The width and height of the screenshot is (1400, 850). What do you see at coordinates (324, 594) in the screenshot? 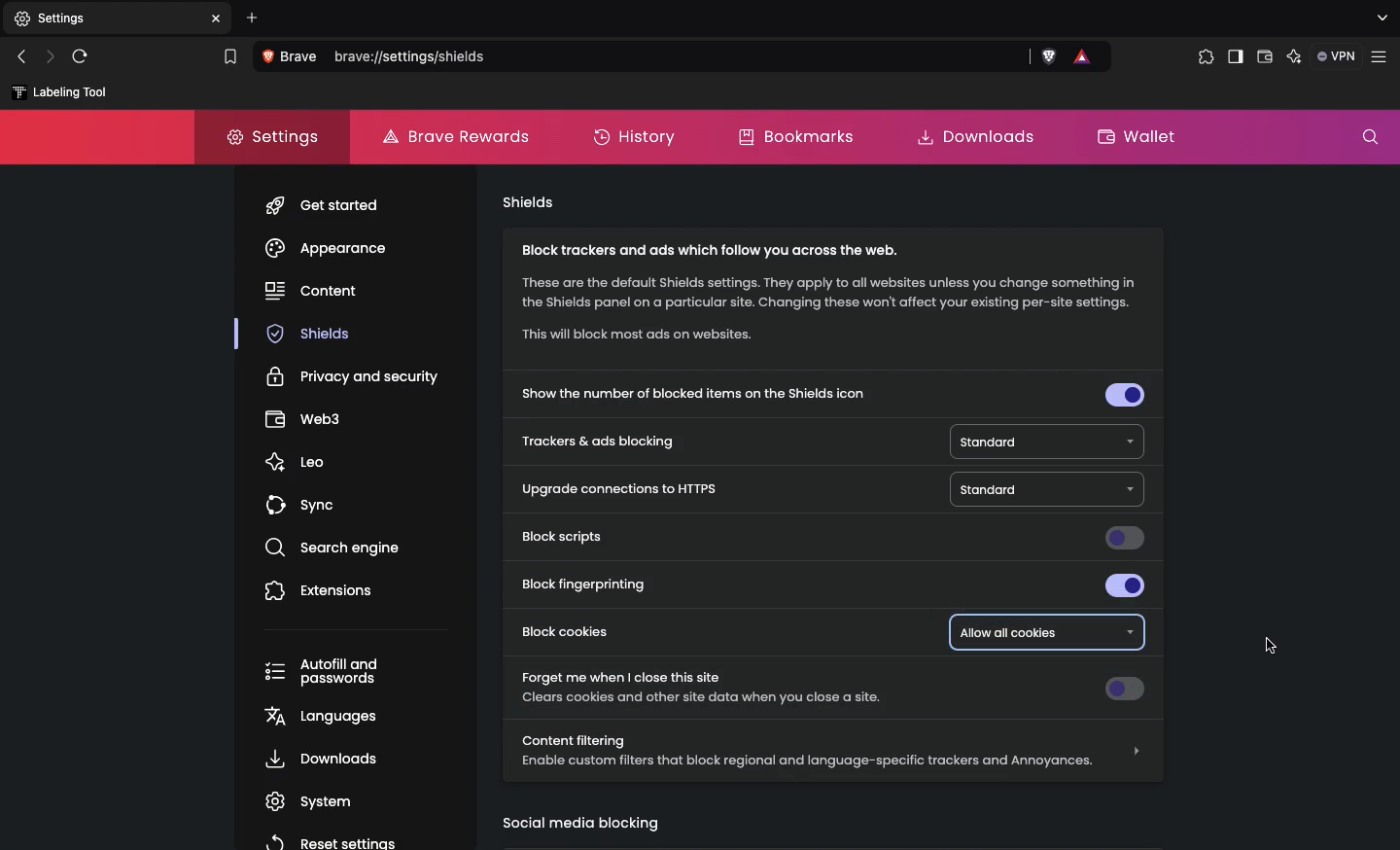
I see `Extensions` at bounding box center [324, 594].